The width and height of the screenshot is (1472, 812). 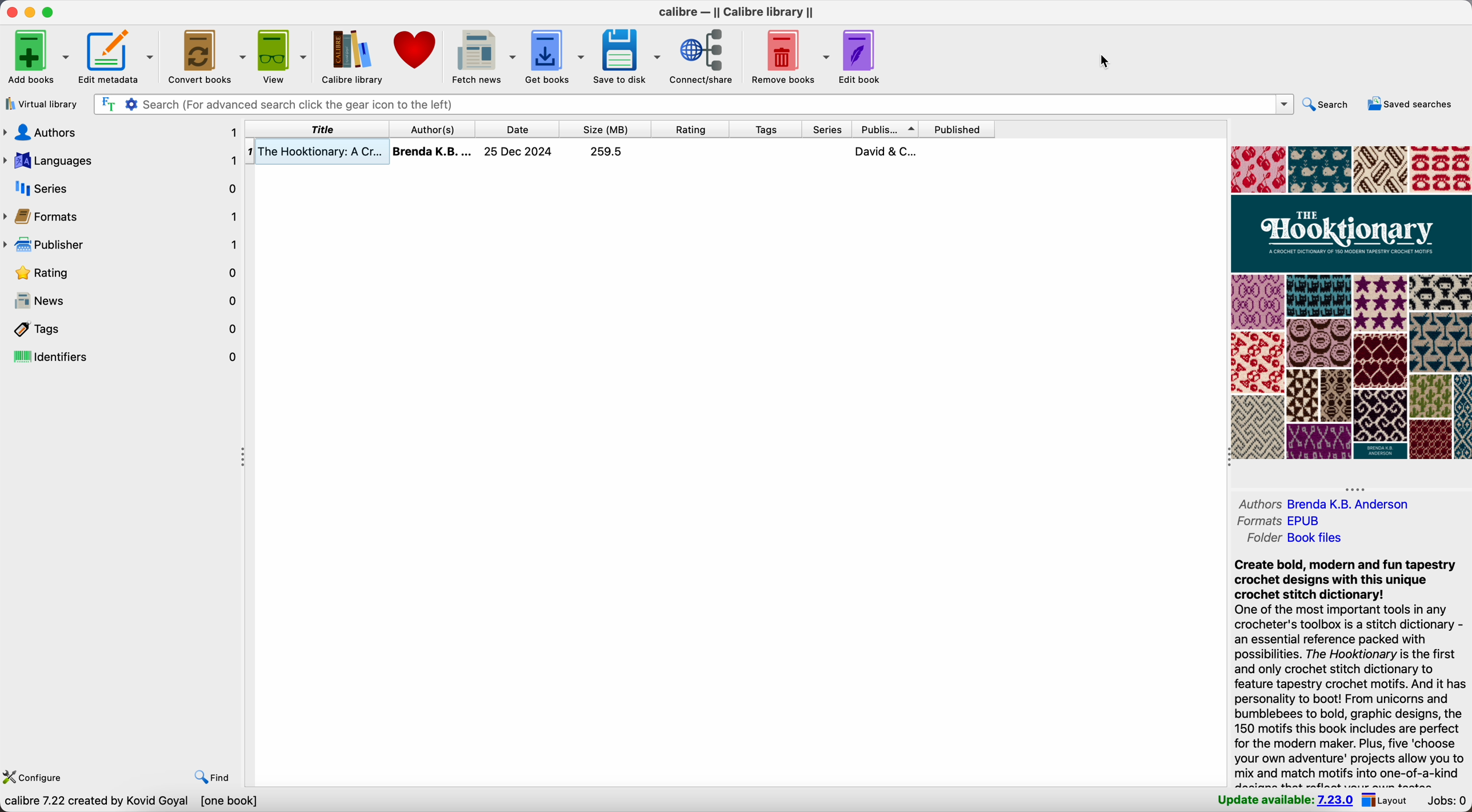 What do you see at coordinates (417, 51) in the screenshot?
I see `donate` at bounding box center [417, 51].